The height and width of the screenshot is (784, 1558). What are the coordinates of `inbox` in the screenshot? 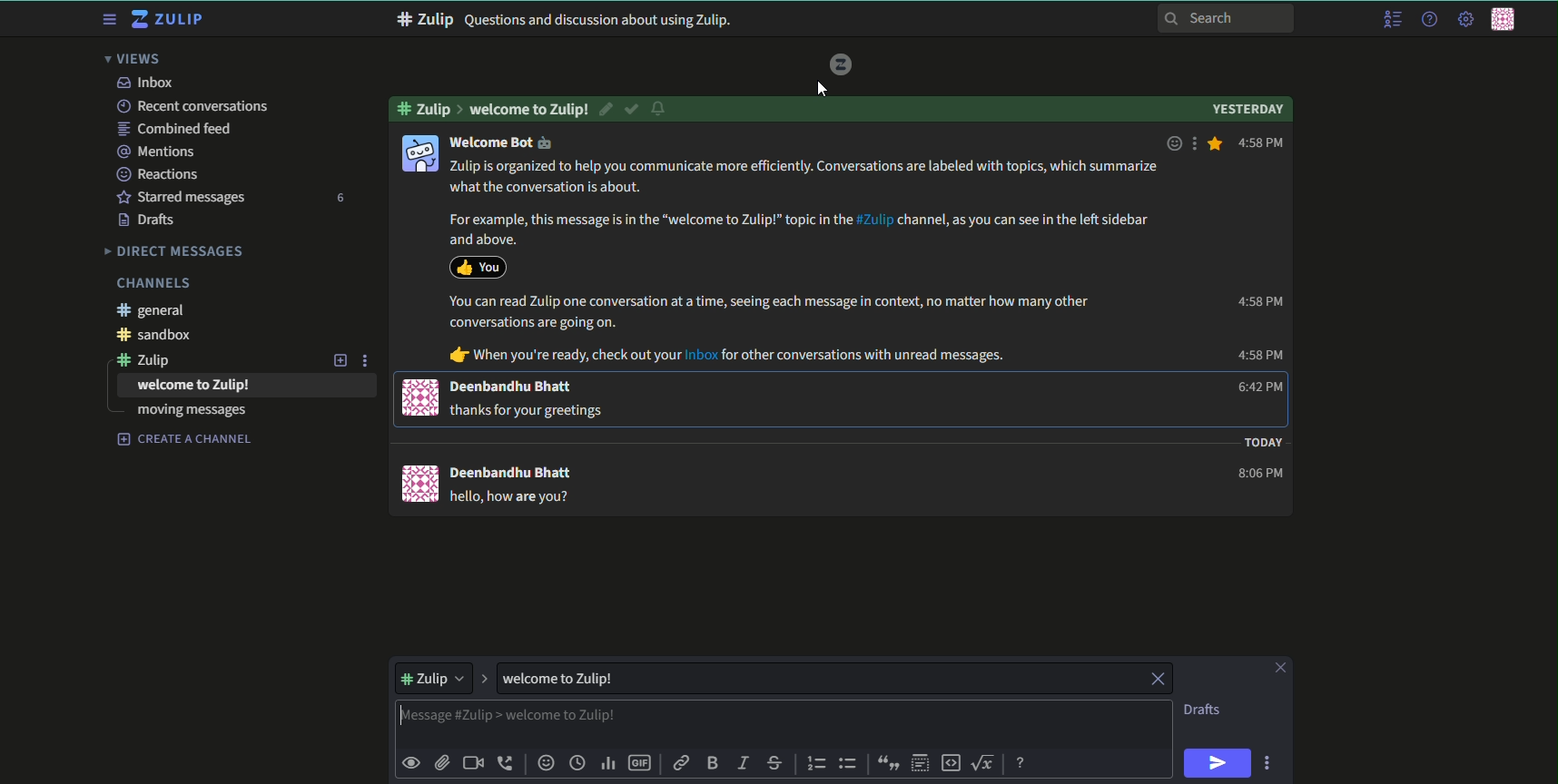 It's located at (144, 83).